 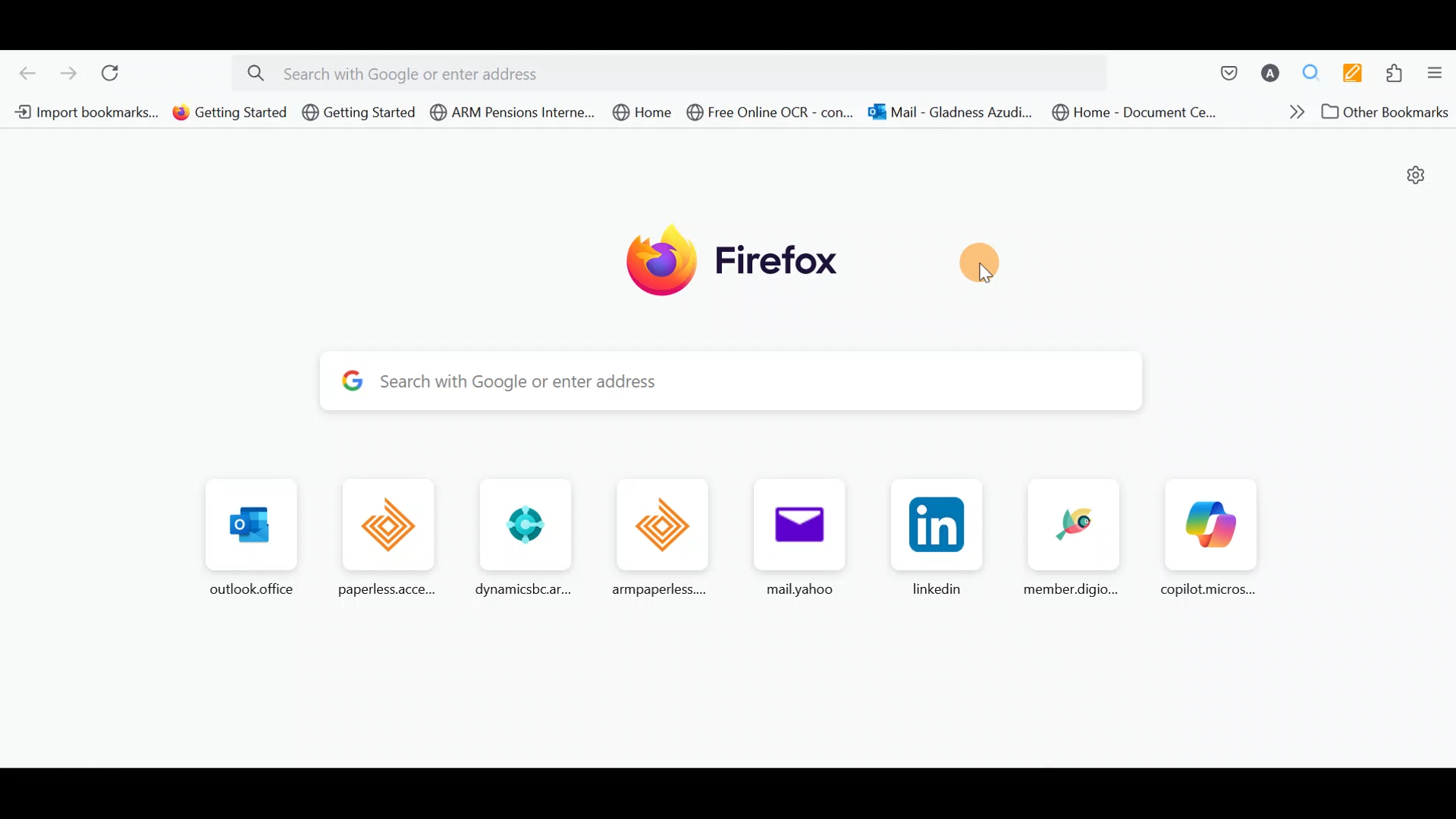 I want to click on Bookmark 6, so click(x=772, y=114).